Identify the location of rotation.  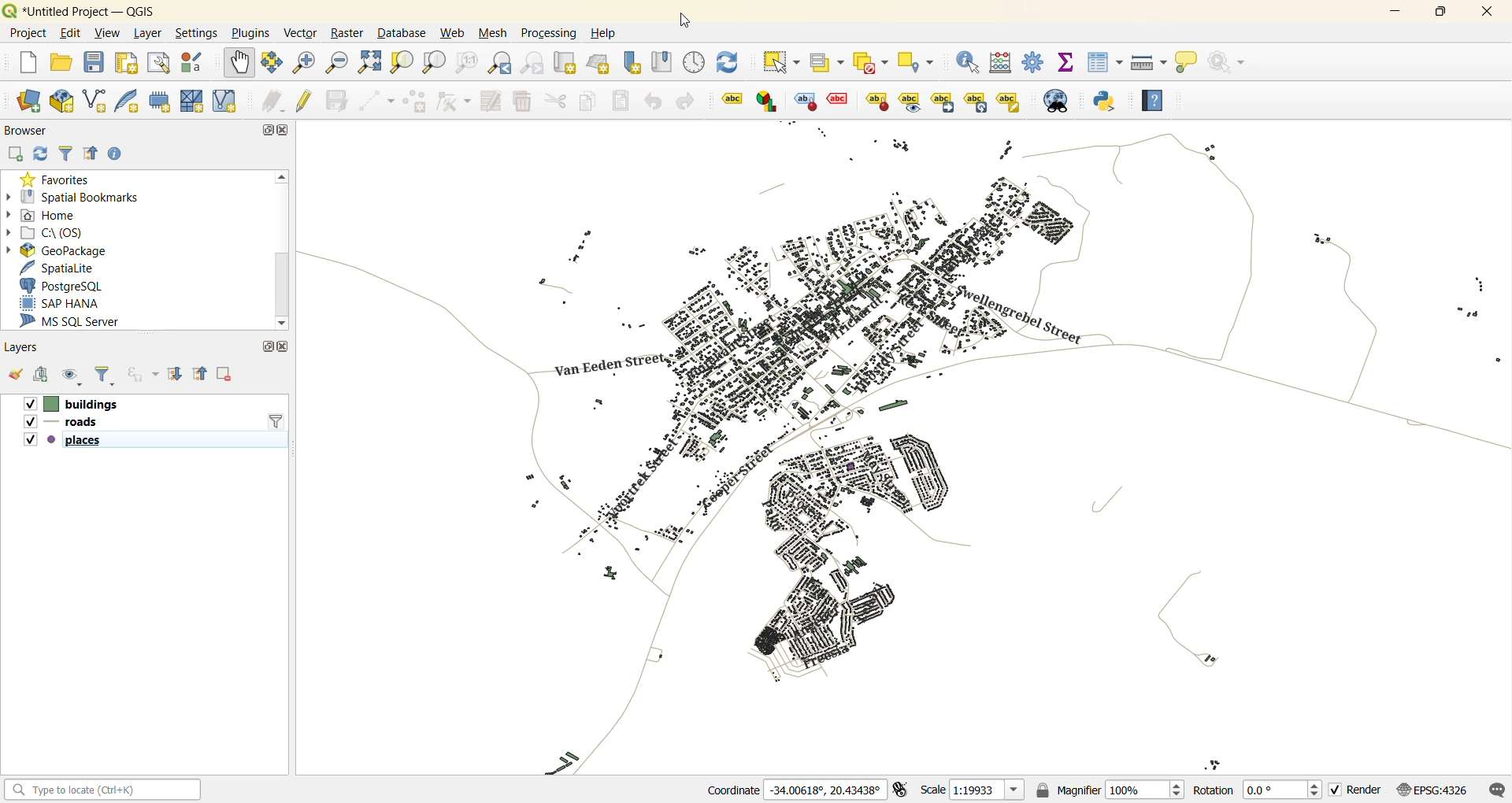
(1258, 790).